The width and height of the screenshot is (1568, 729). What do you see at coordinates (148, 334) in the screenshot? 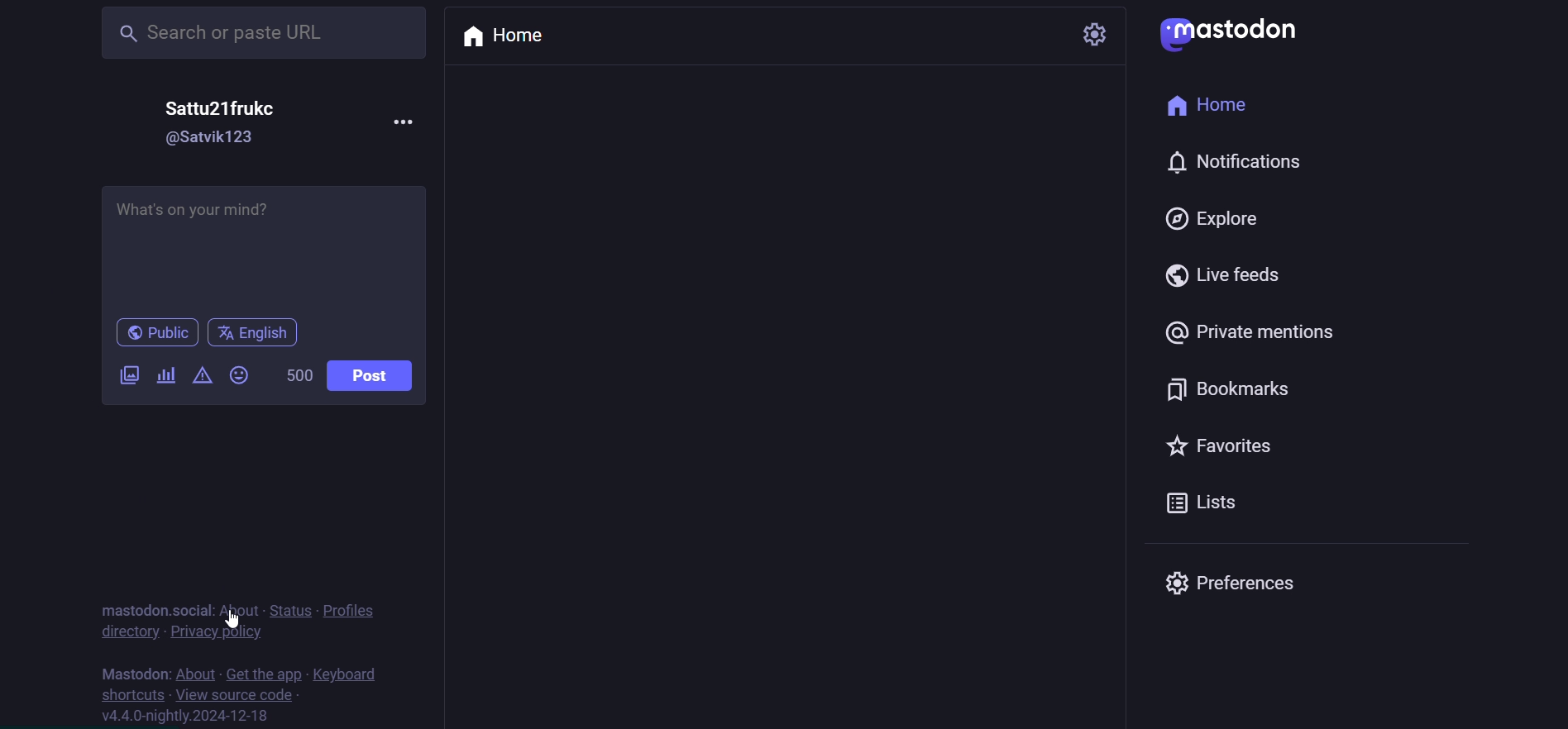
I see `public` at bounding box center [148, 334].